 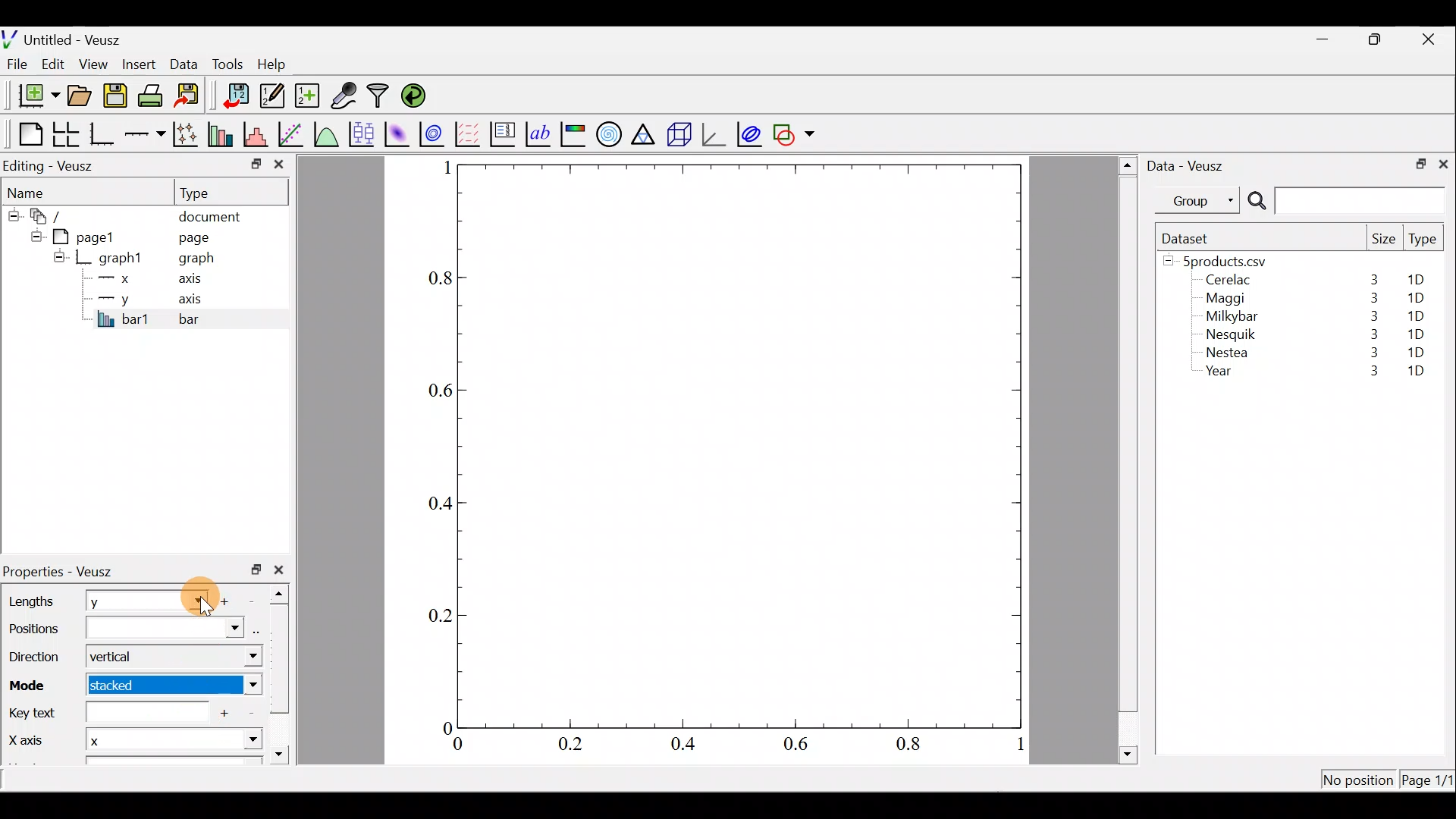 I want to click on Tools, so click(x=227, y=63).